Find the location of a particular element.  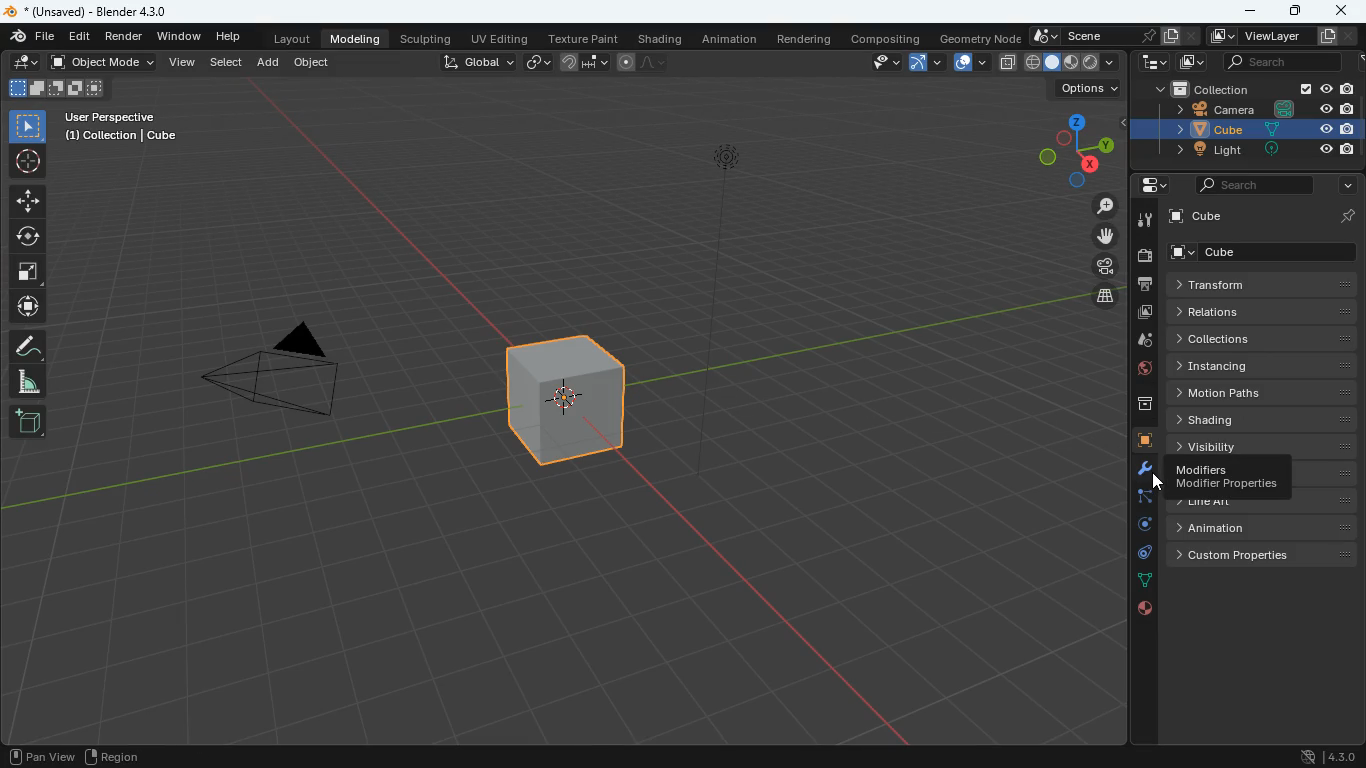

motion paths is located at coordinates (1262, 391).